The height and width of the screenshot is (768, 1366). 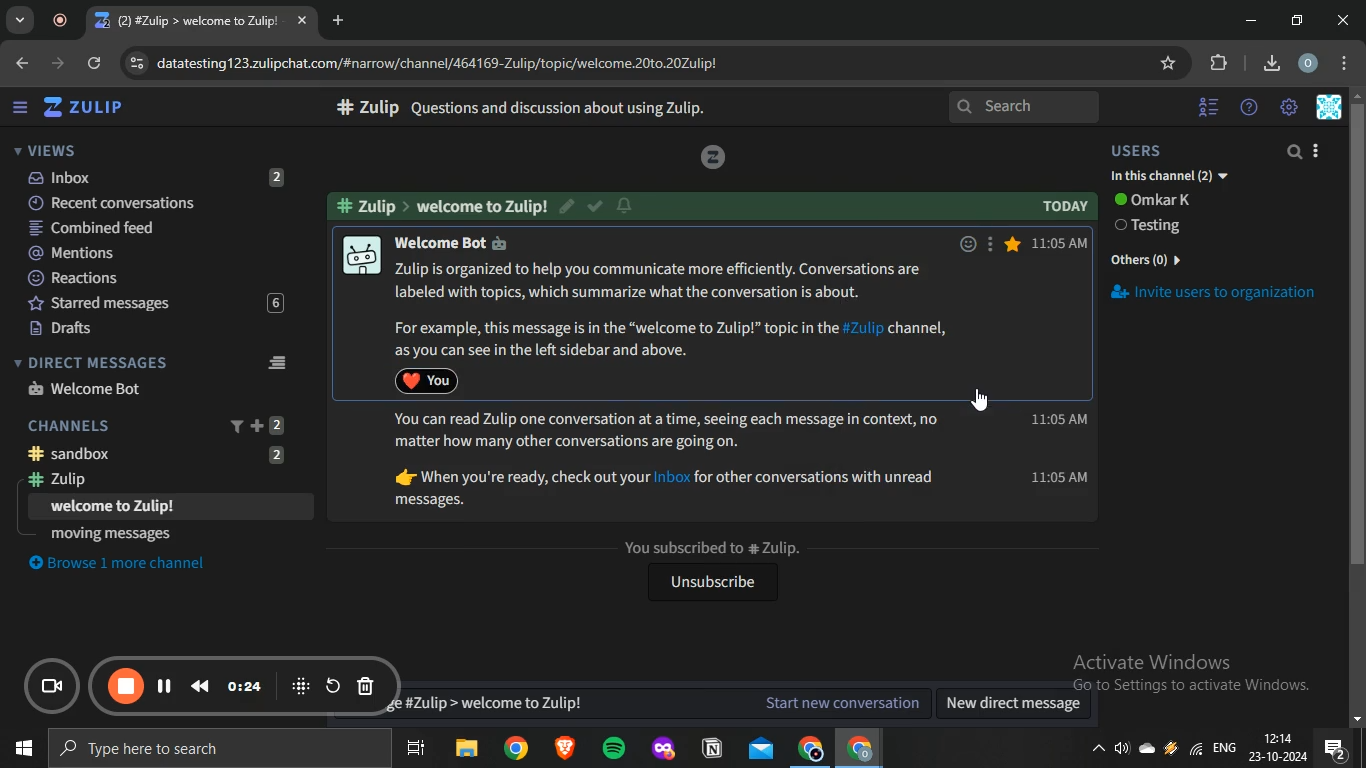 I want to click on text, so click(x=1157, y=200).